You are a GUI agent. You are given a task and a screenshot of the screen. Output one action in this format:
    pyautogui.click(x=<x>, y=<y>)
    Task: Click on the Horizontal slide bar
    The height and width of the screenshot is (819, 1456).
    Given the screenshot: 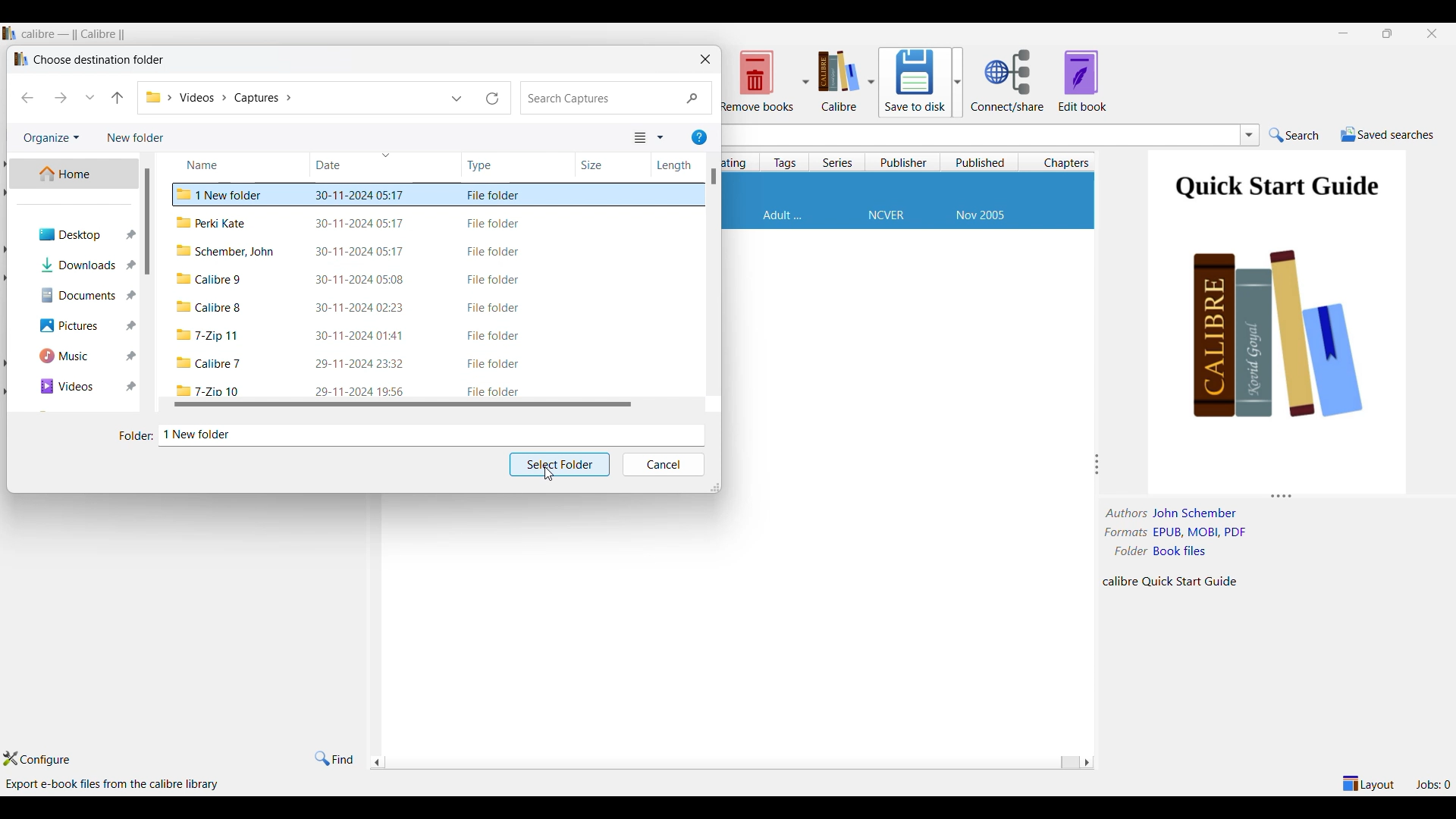 What is the action you would take?
    pyautogui.click(x=404, y=403)
    